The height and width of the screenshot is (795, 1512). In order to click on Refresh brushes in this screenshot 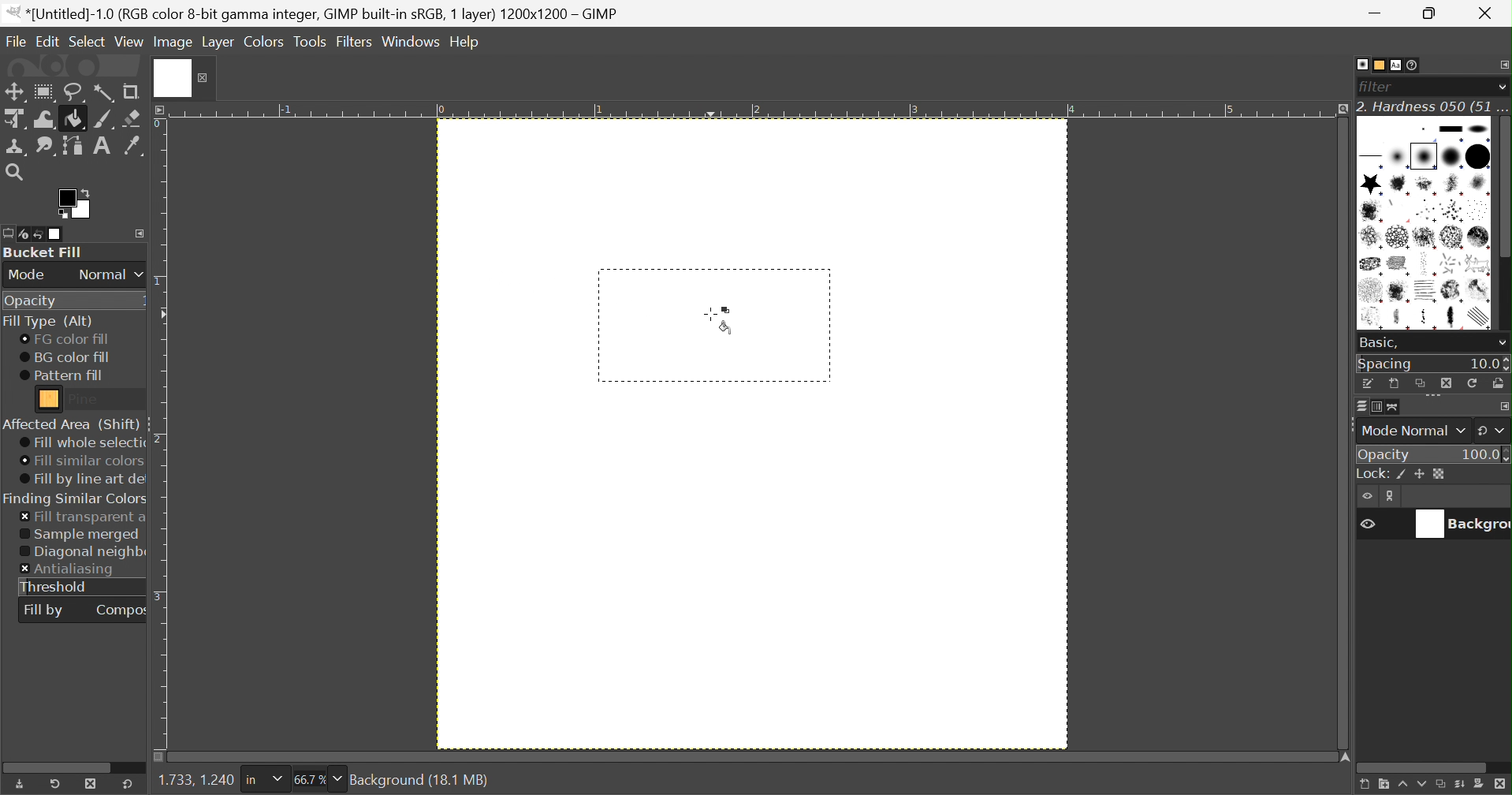, I will do `click(1474, 383)`.